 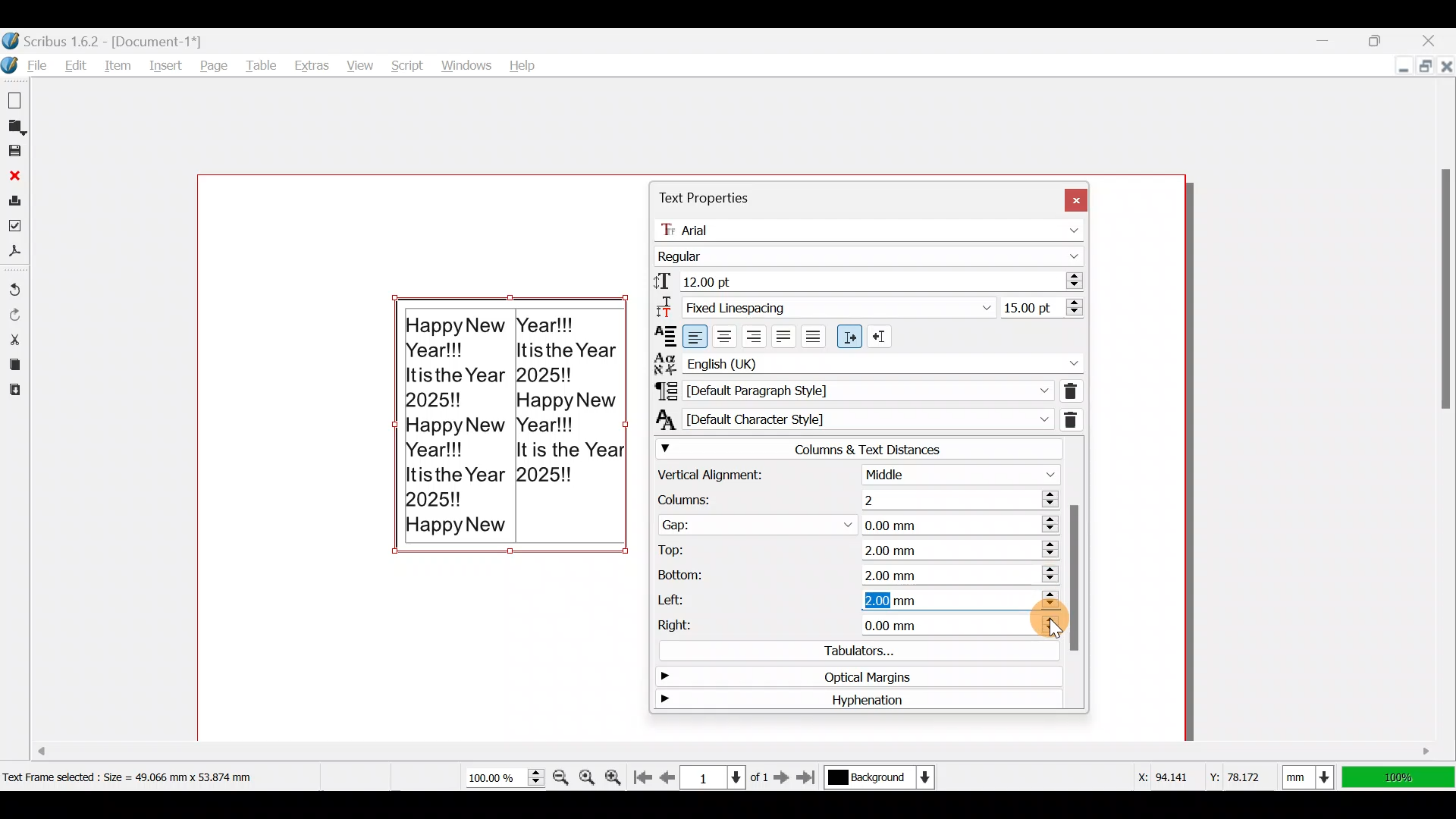 I want to click on Gap, so click(x=855, y=521).